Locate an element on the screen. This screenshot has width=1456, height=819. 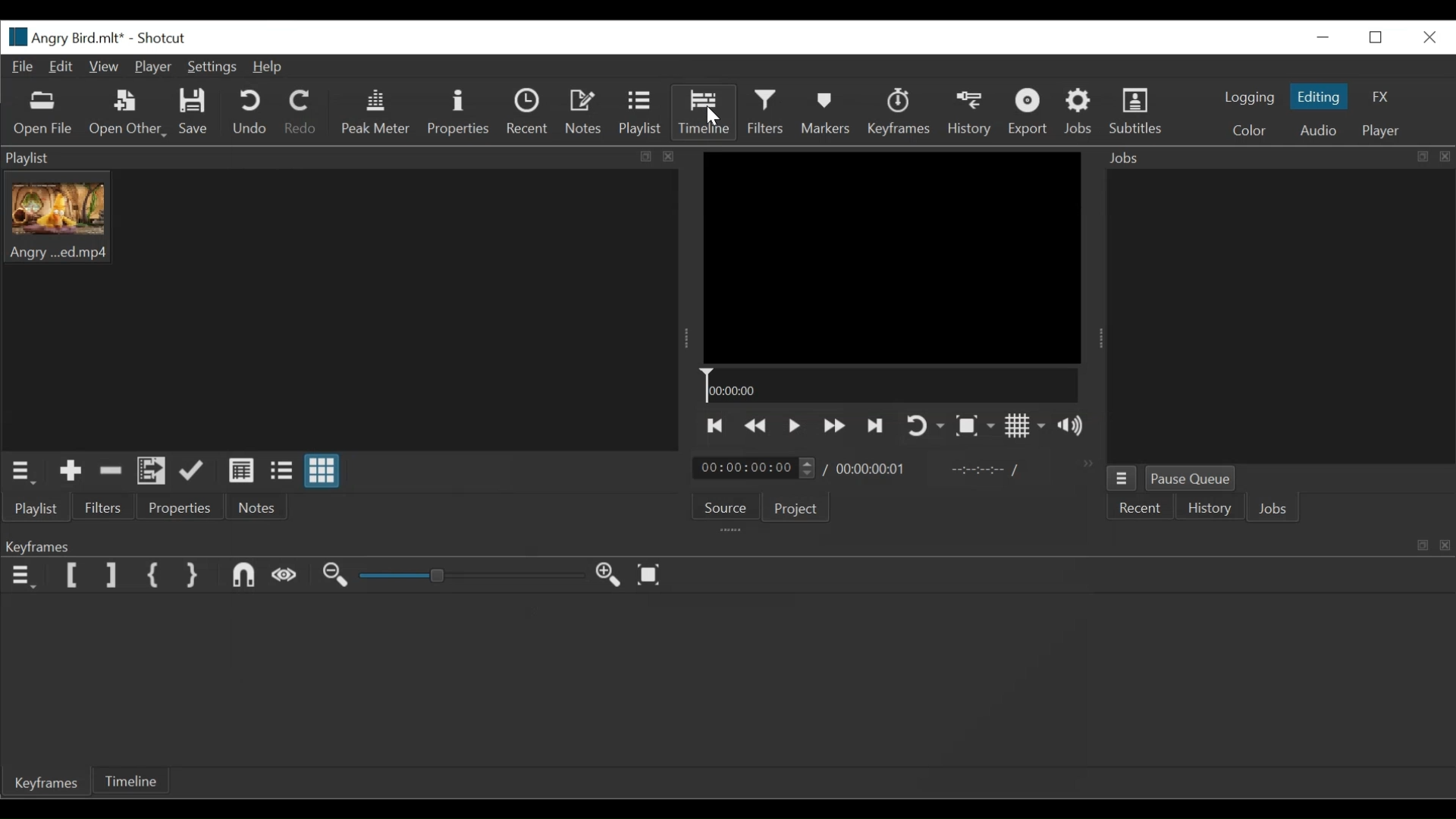
Subtitles is located at coordinates (1137, 111).